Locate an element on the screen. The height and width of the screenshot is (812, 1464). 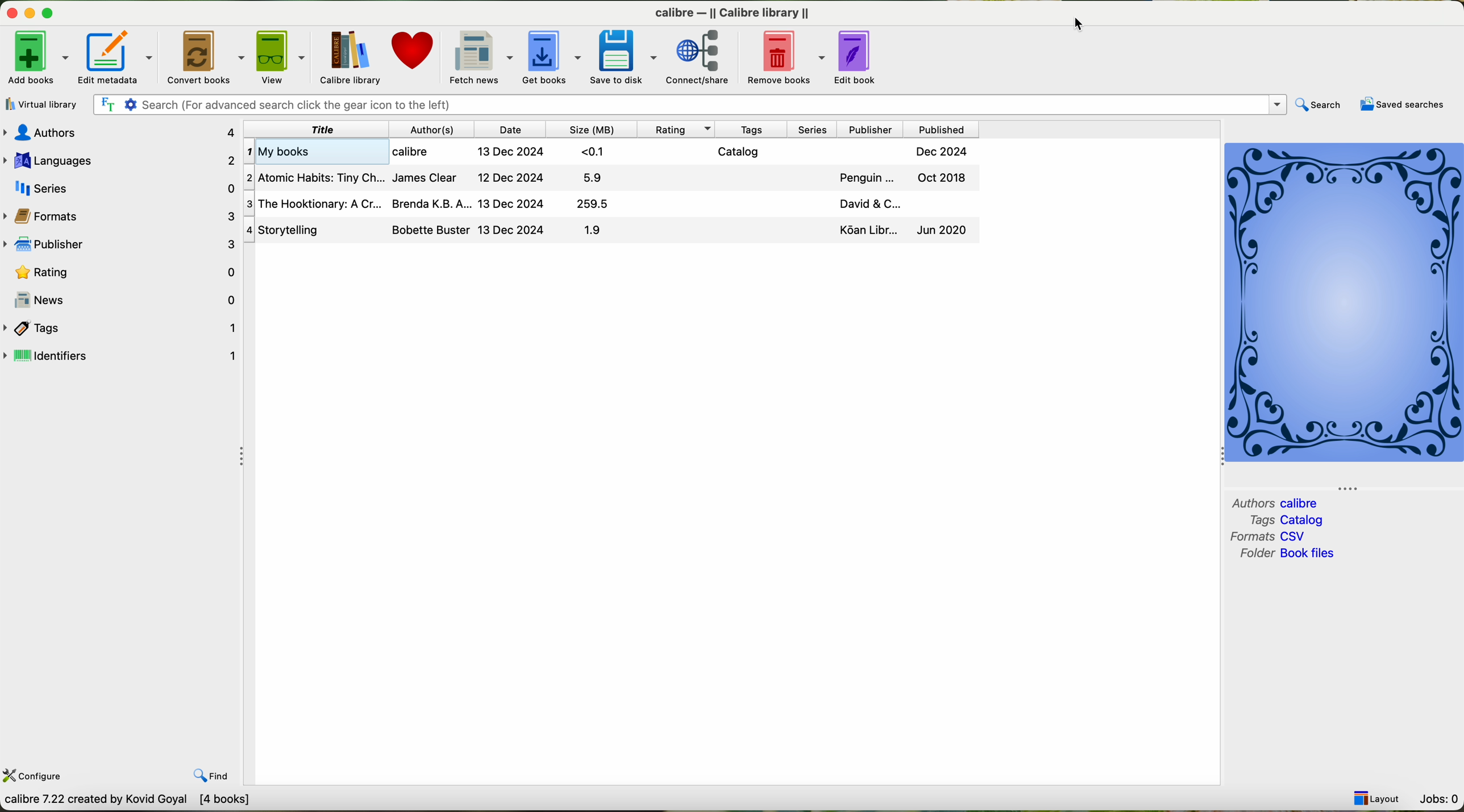
edit book is located at coordinates (858, 57).